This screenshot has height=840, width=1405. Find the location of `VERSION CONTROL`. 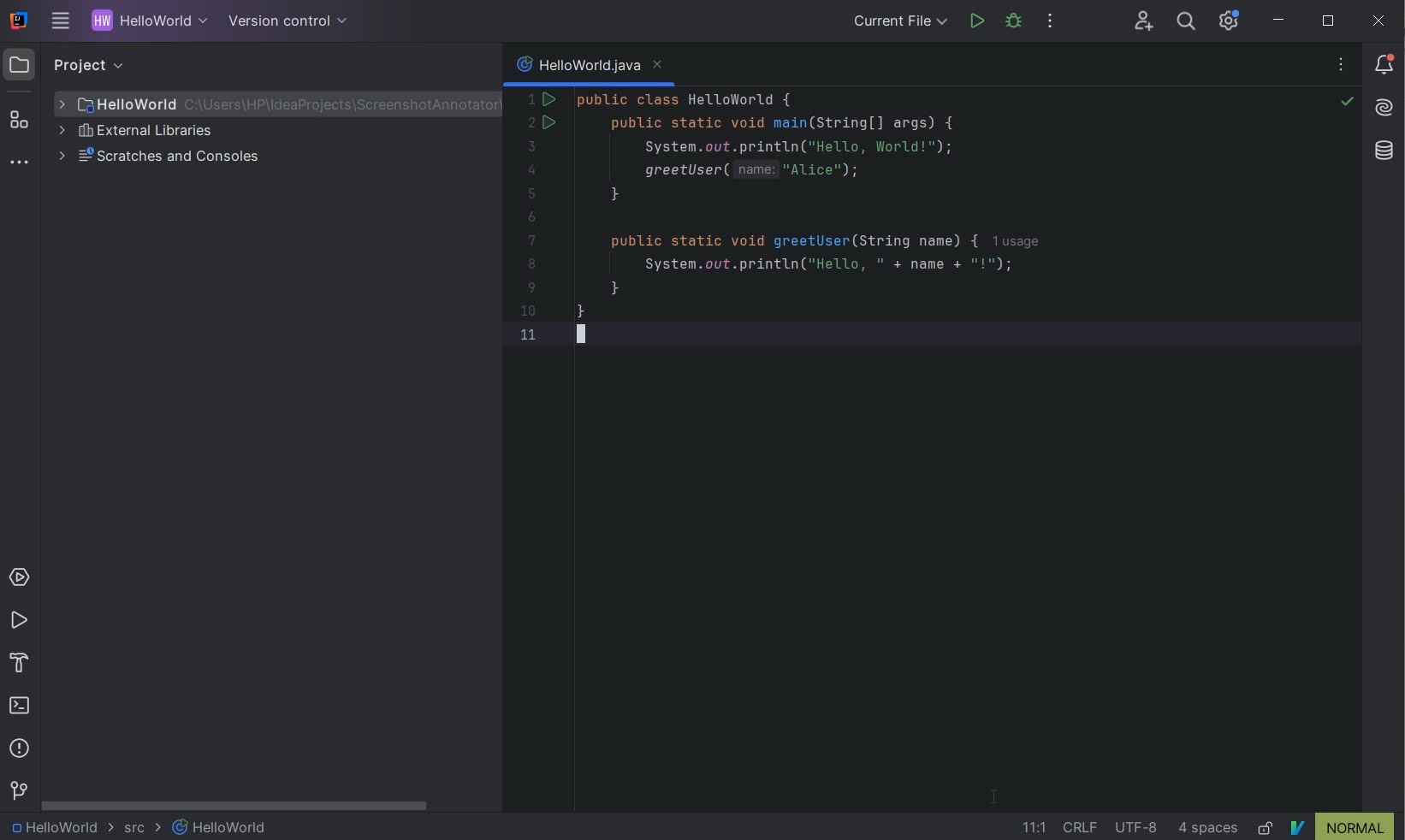

VERSION CONTROL is located at coordinates (18, 790).